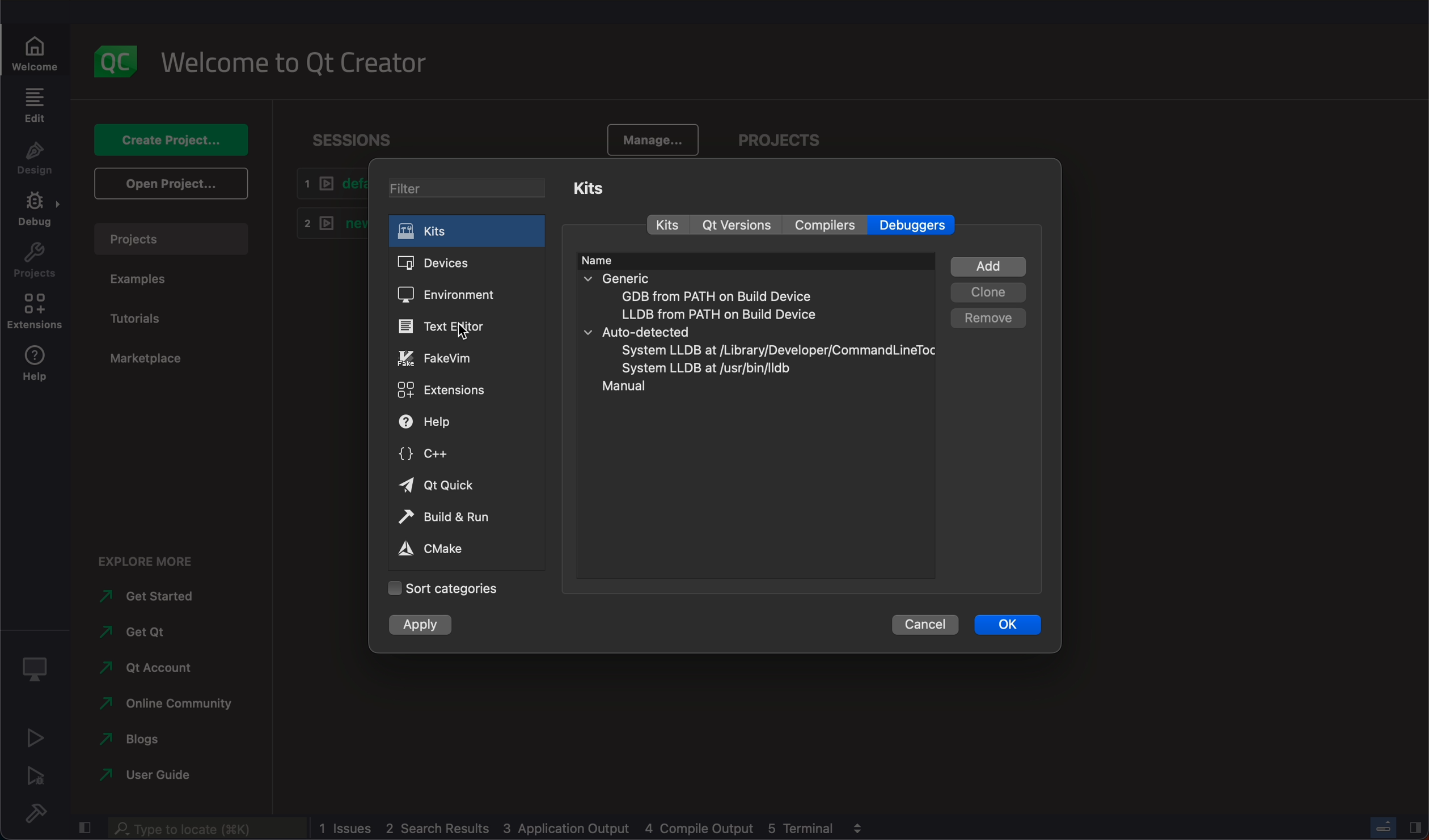  I want to click on get Qt, so click(139, 634).